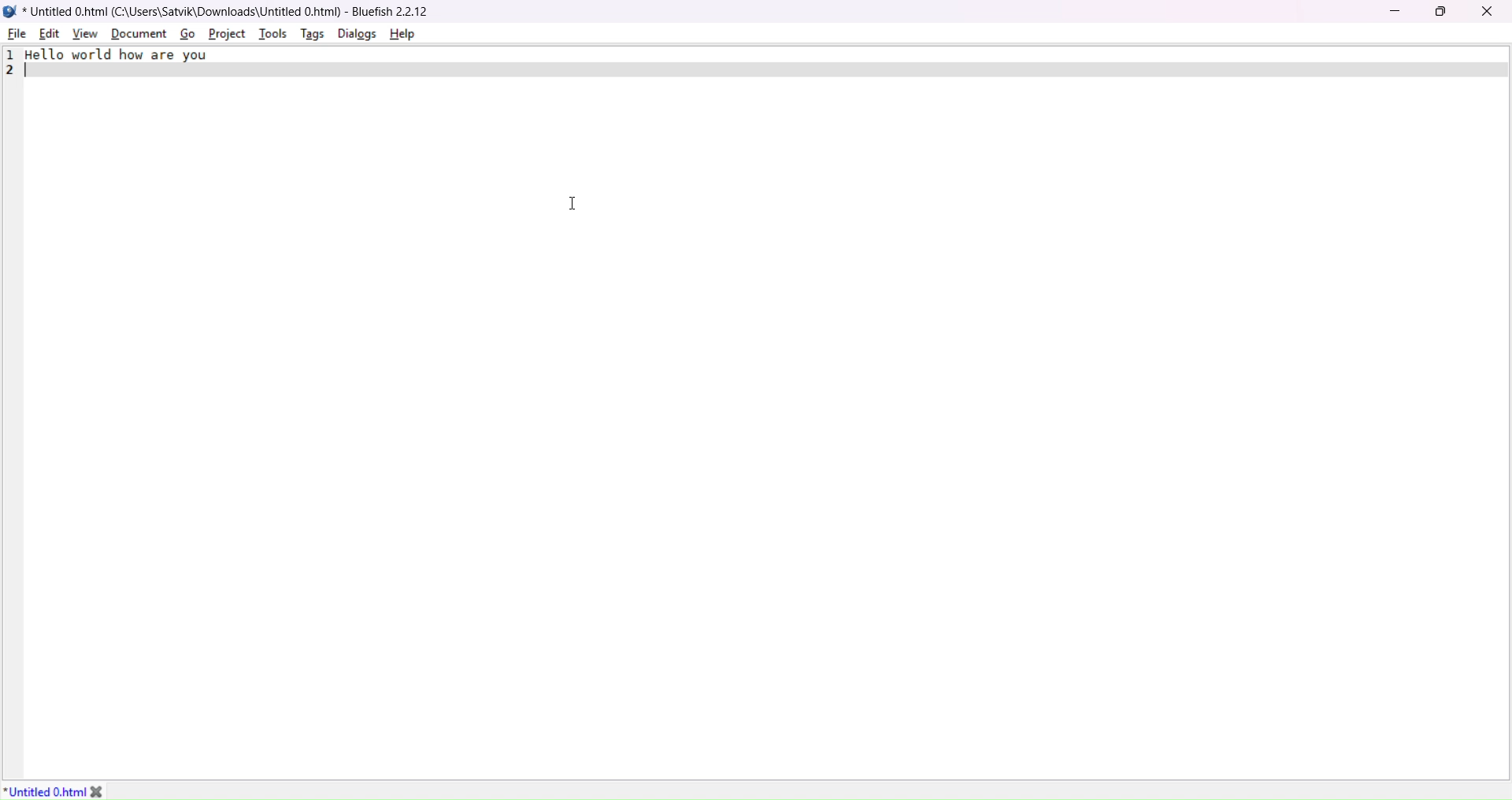 This screenshot has height=800, width=1512. What do you see at coordinates (402, 35) in the screenshot?
I see `help` at bounding box center [402, 35].